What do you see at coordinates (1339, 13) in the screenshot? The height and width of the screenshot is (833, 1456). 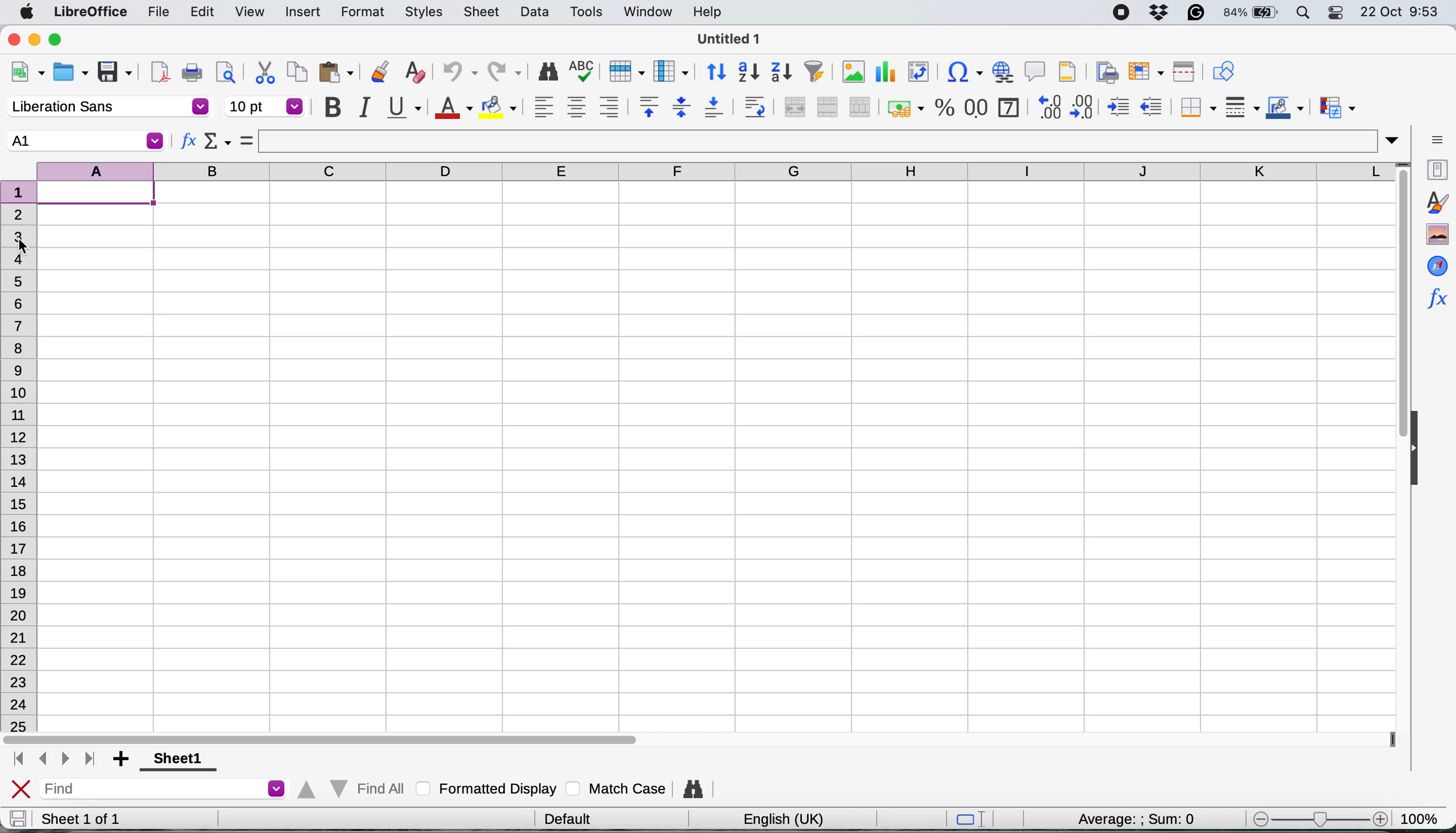 I see `control center` at bounding box center [1339, 13].